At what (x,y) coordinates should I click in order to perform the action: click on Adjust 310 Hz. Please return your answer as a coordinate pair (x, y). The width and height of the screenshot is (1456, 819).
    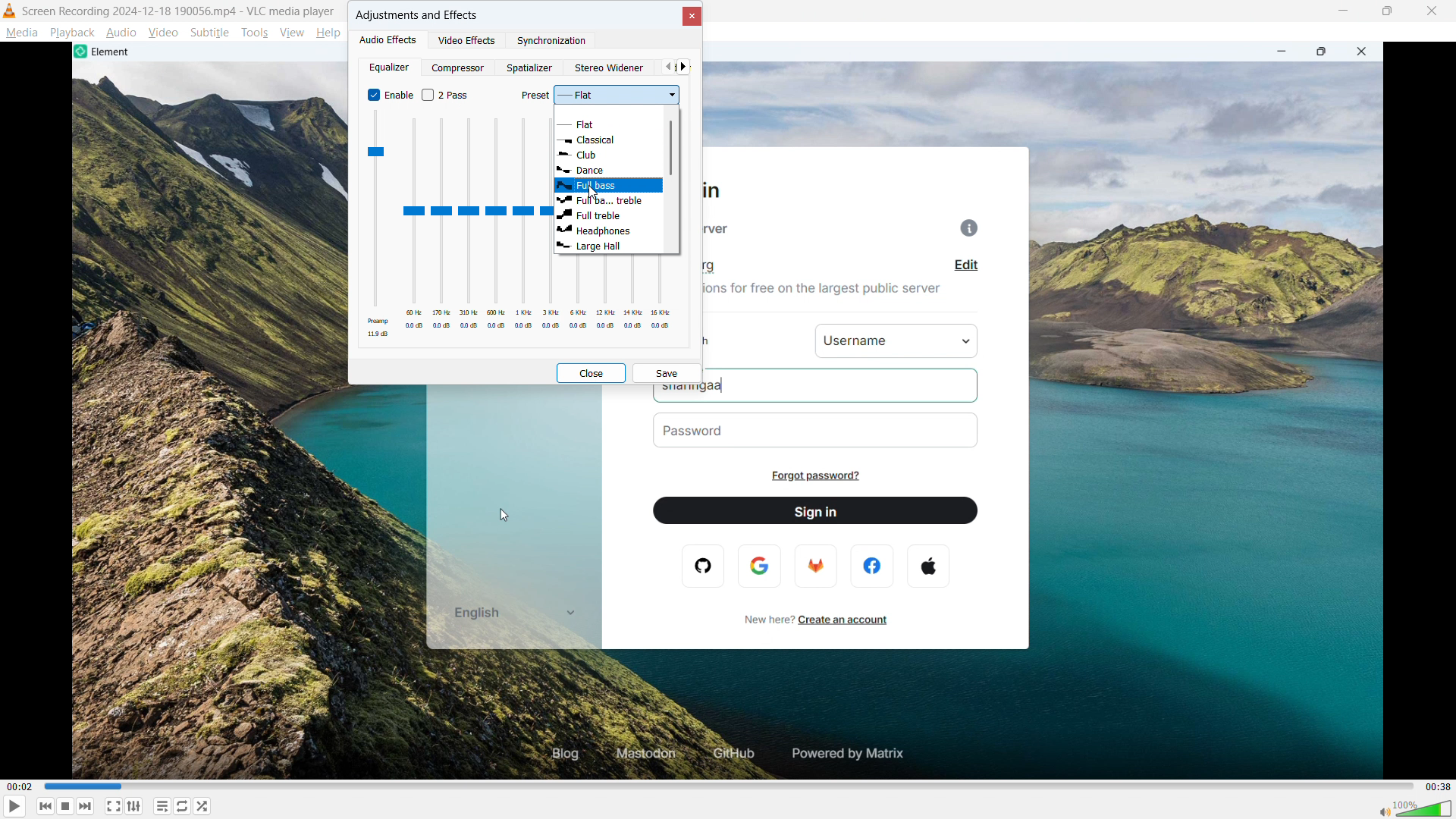
    Looking at the image, I should click on (469, 224).